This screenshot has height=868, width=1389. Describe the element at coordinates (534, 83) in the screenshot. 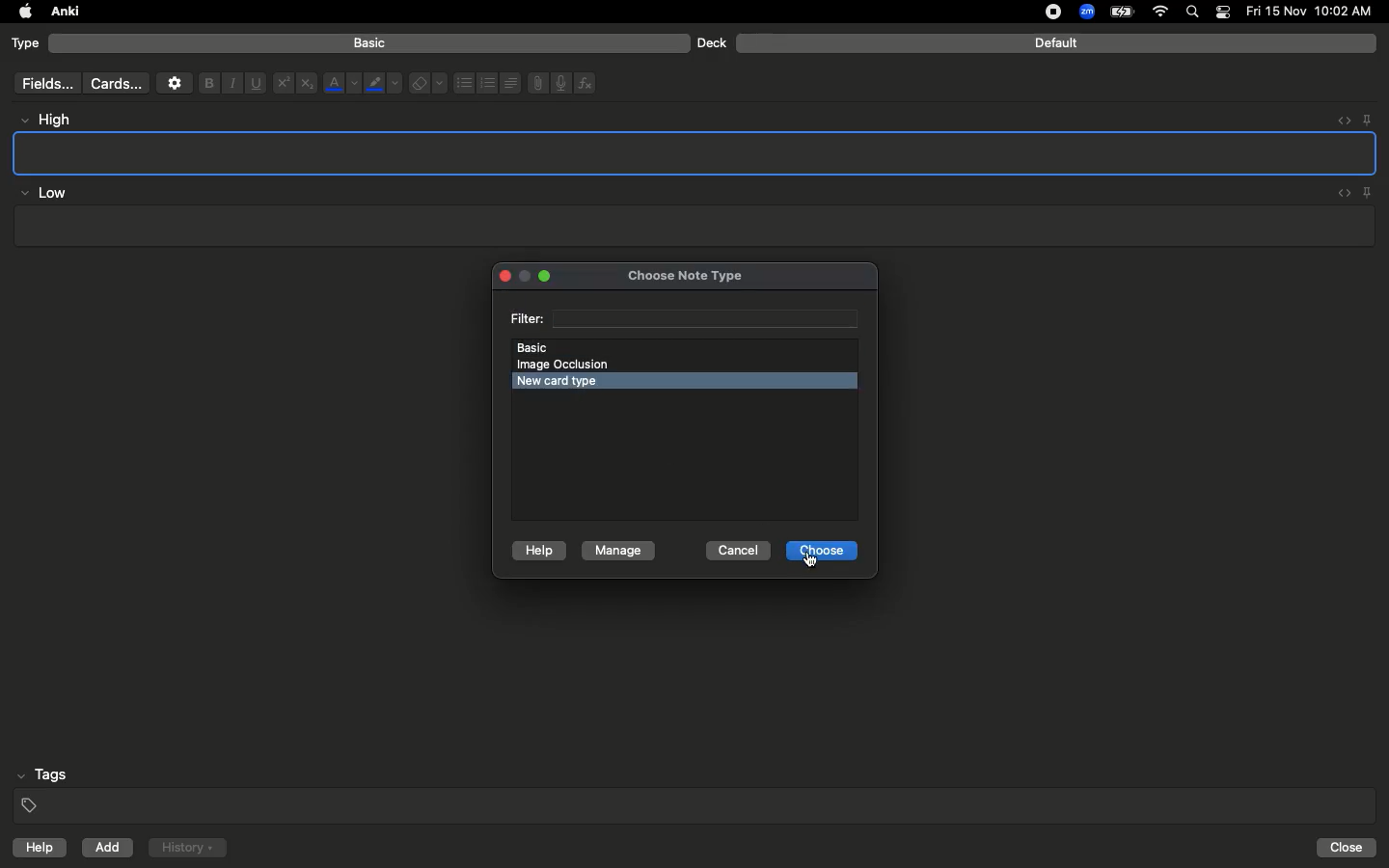

I see `File` at that location.